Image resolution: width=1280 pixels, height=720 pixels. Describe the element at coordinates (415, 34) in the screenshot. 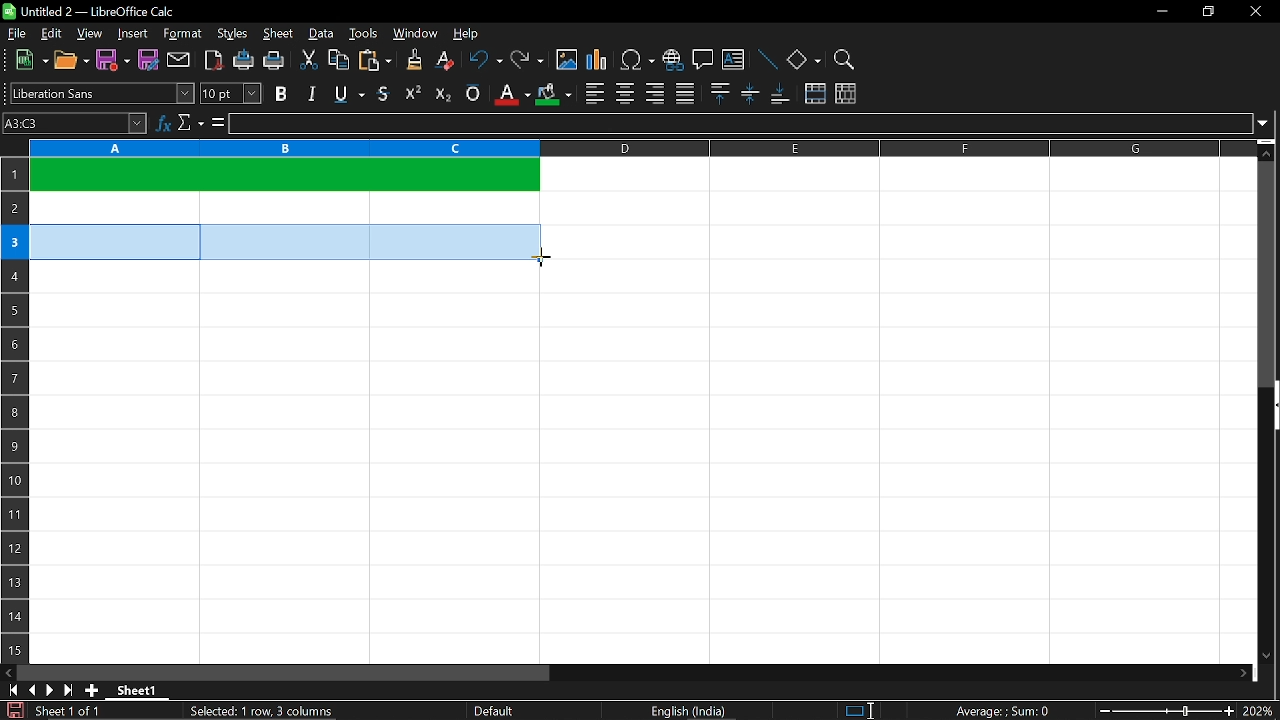

I see `window` at that location.